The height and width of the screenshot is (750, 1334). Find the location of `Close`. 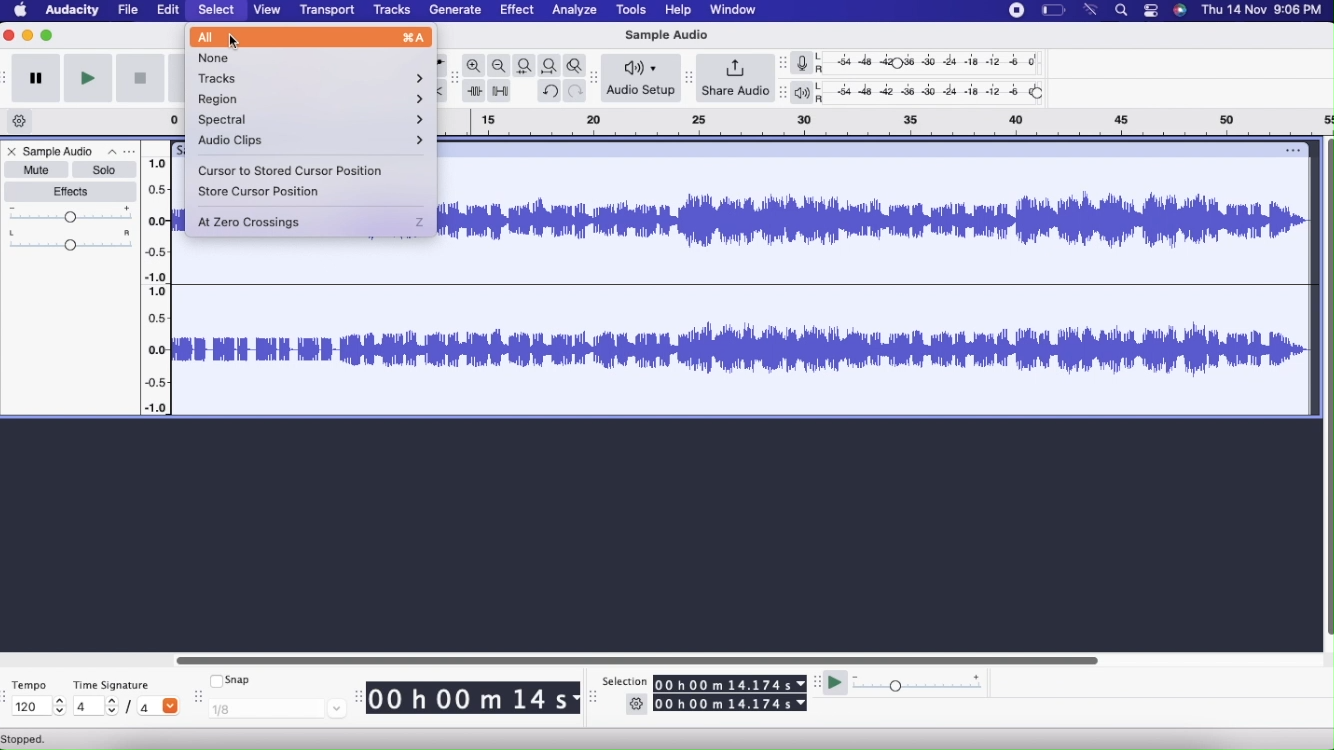

Close is located at coordinates (12, 152).